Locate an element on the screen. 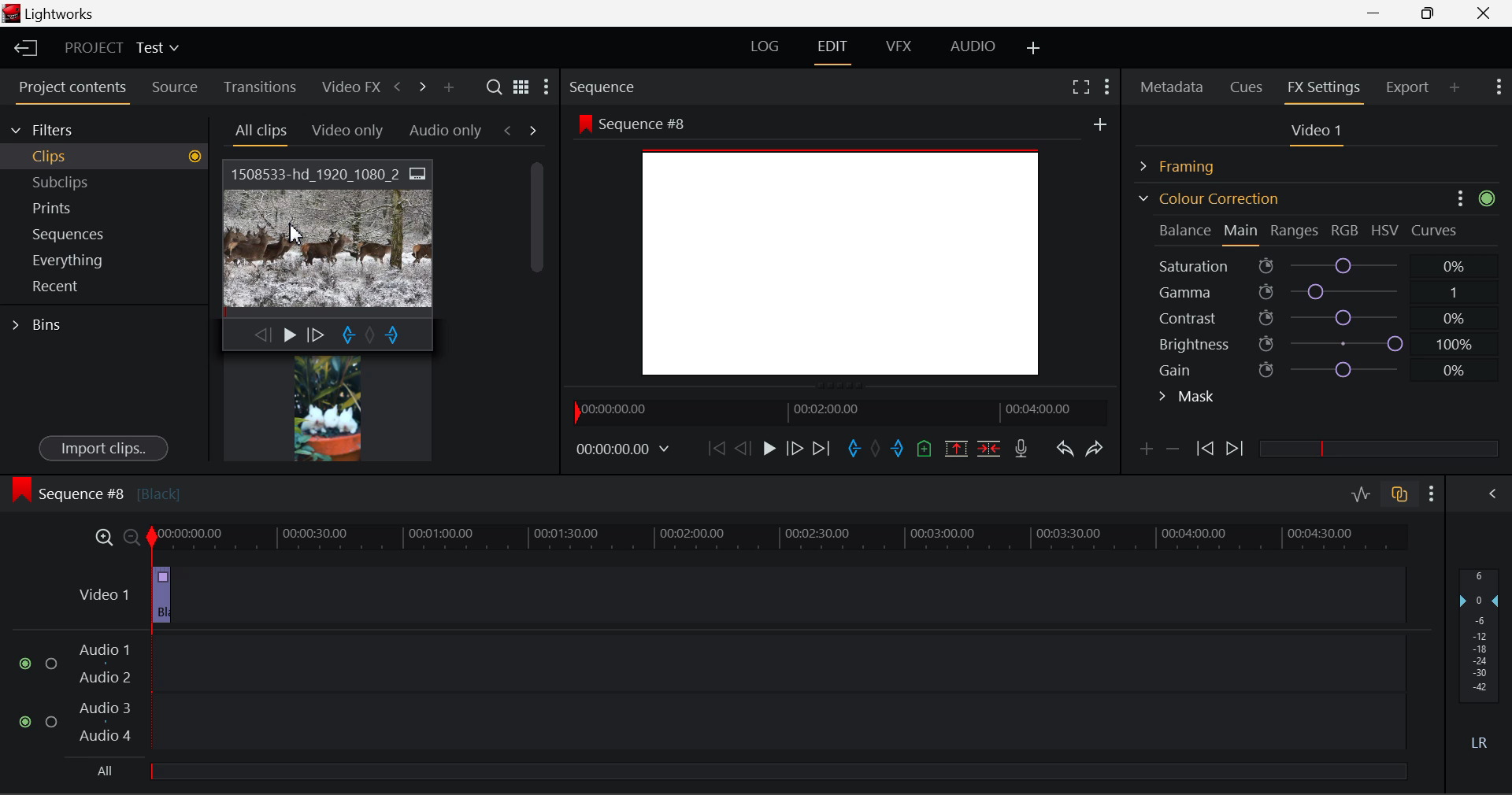 This screenshot has height=795, width=1512. Framing Section is located at coordinates (1190, 164).